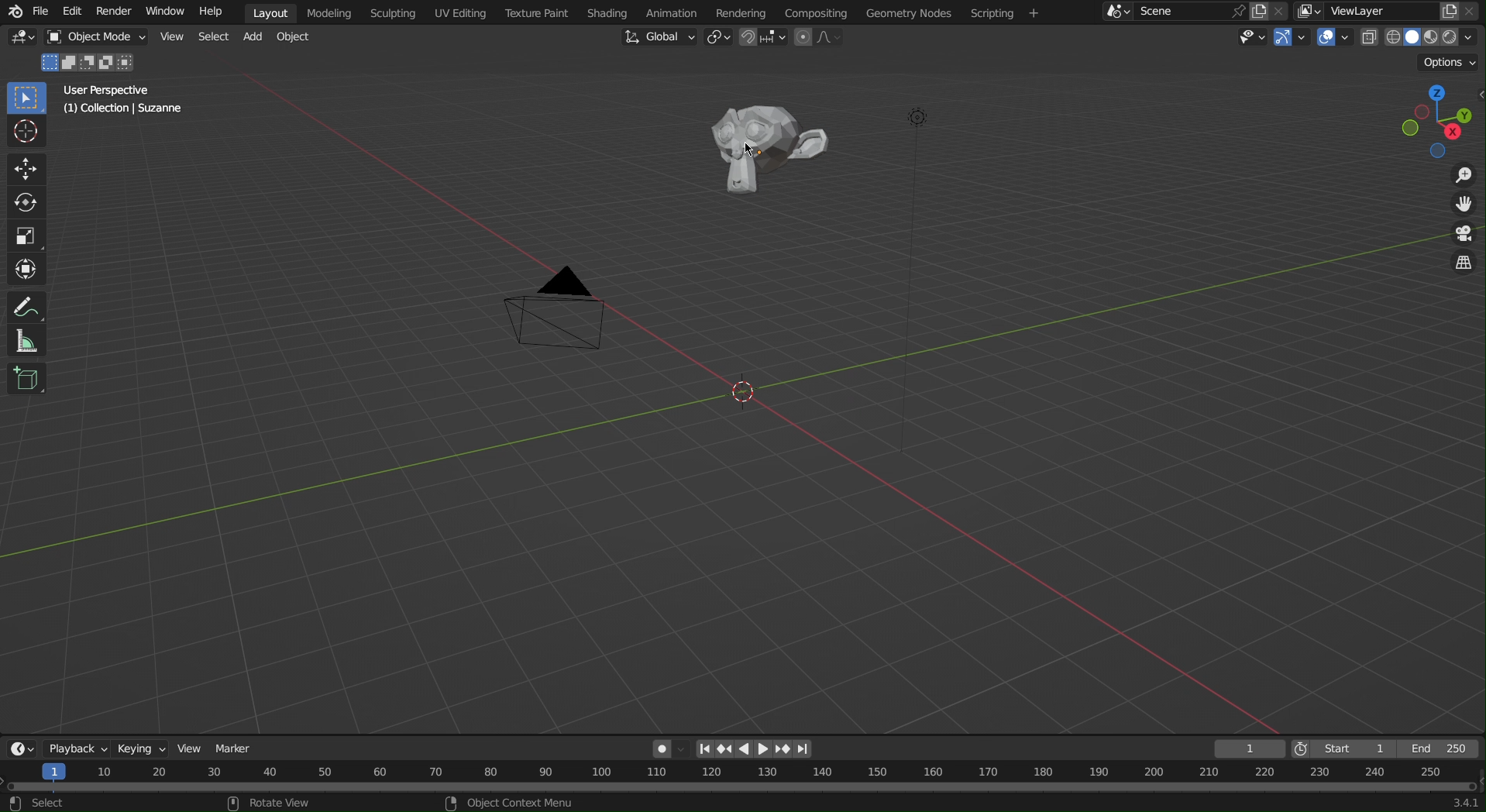 The image size is (1486, 812). Describe the element at coordinates (1438, 749) in the screenshot. I see `End 250` at that location.